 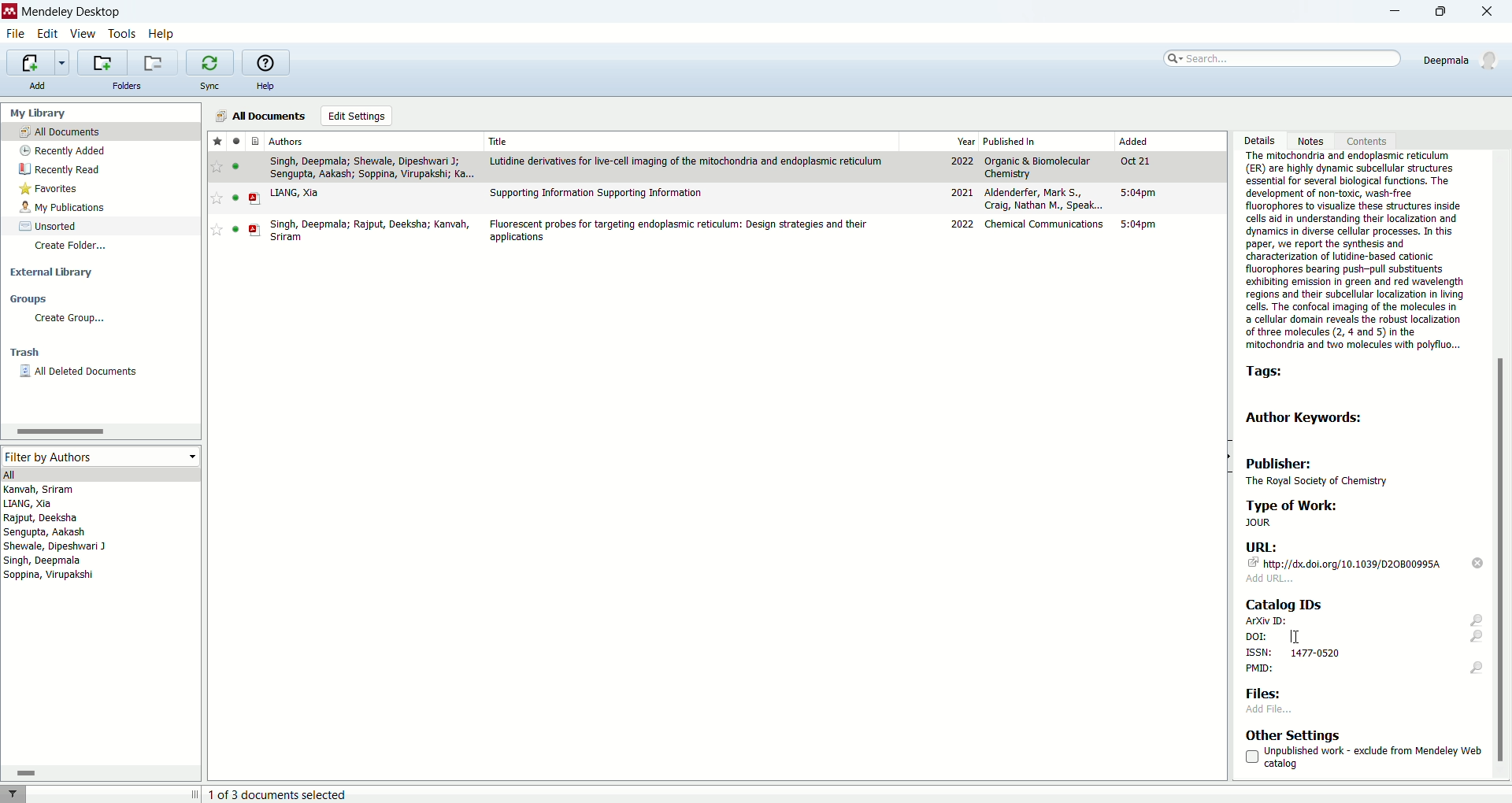 I want to click on help, so click(x=161, y=35).